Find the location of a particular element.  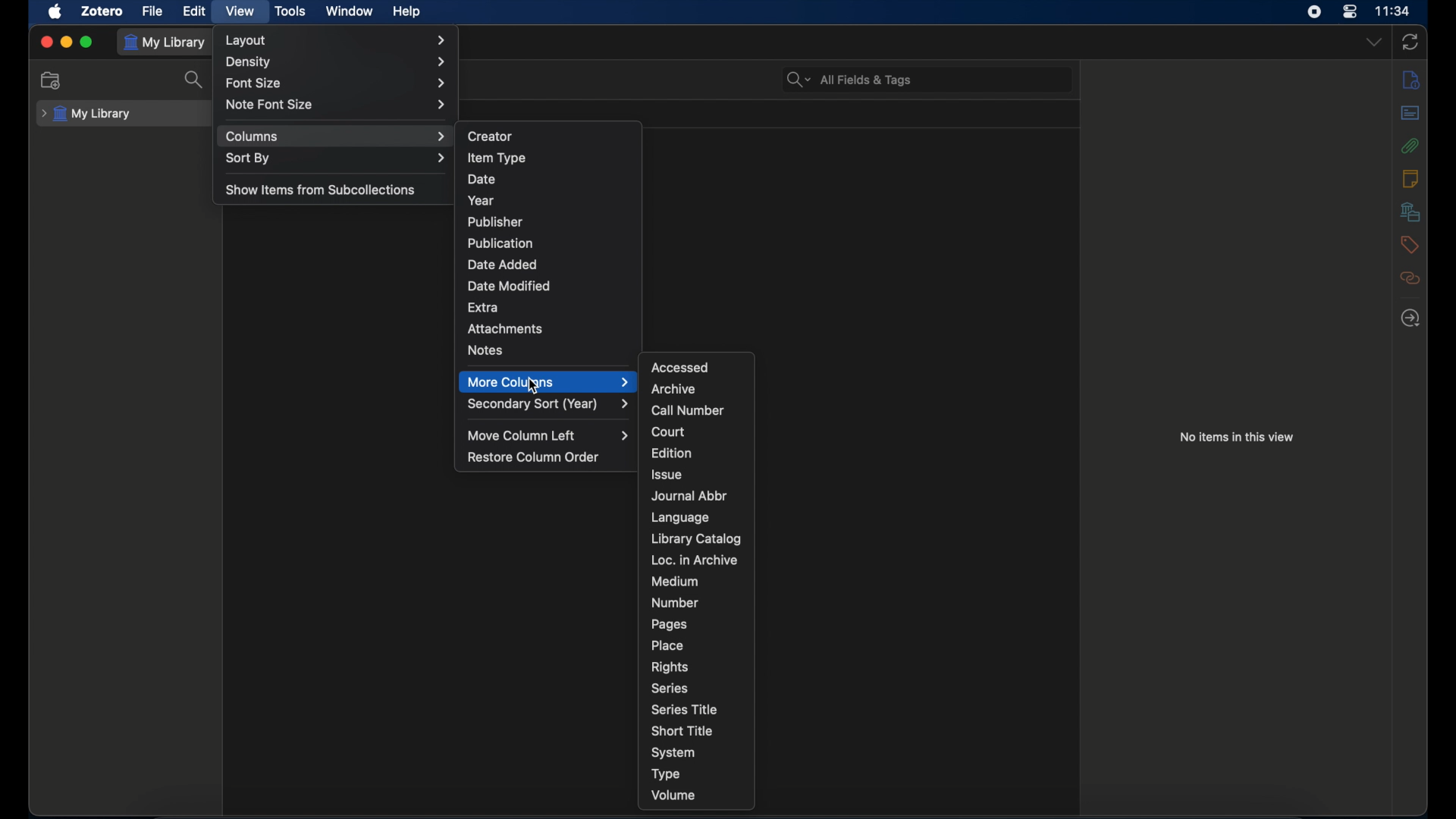

zotero is located at coordinates (102, 11).